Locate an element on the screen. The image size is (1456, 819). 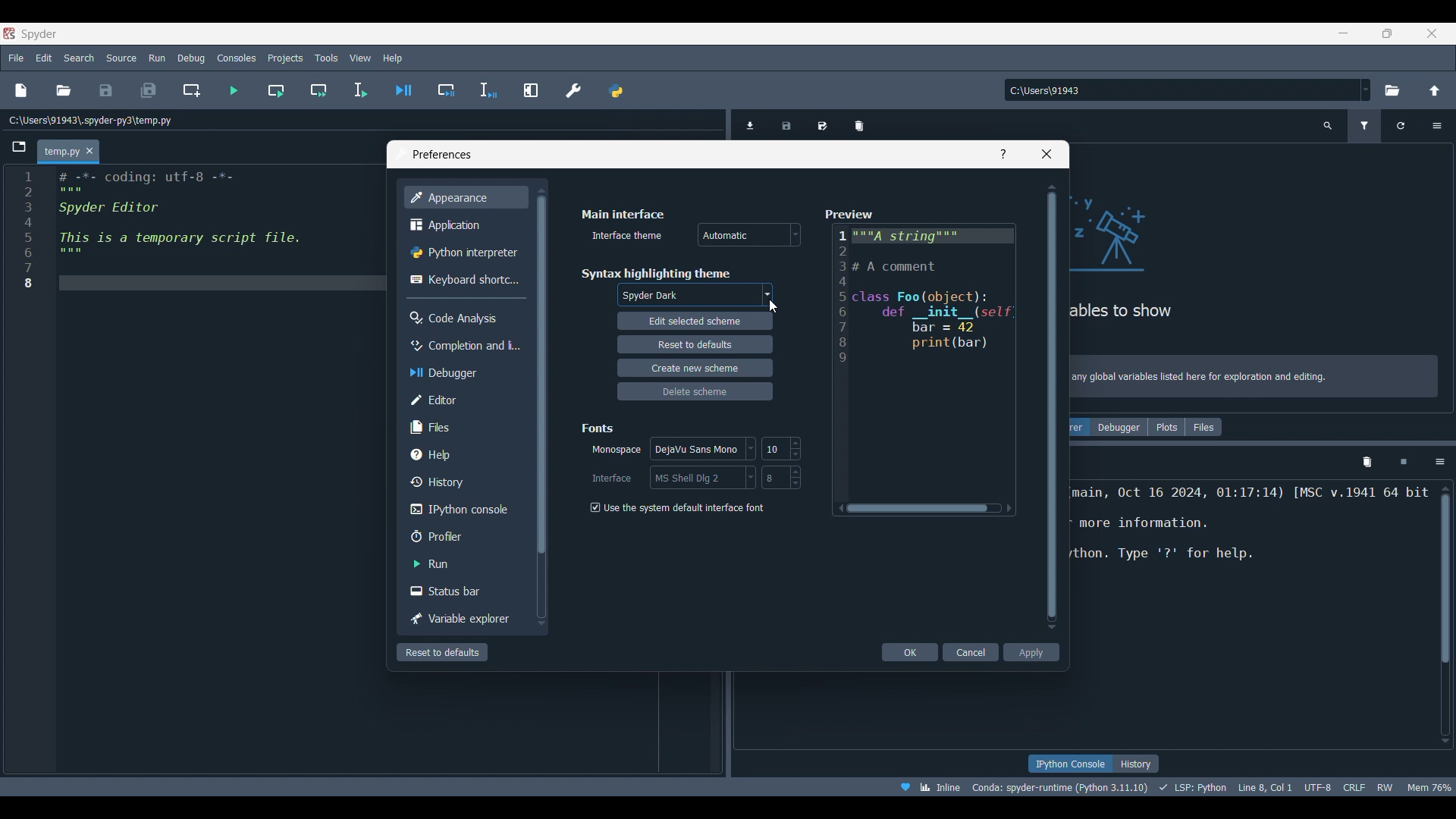
Help menu is located at coordinates (393, 58).